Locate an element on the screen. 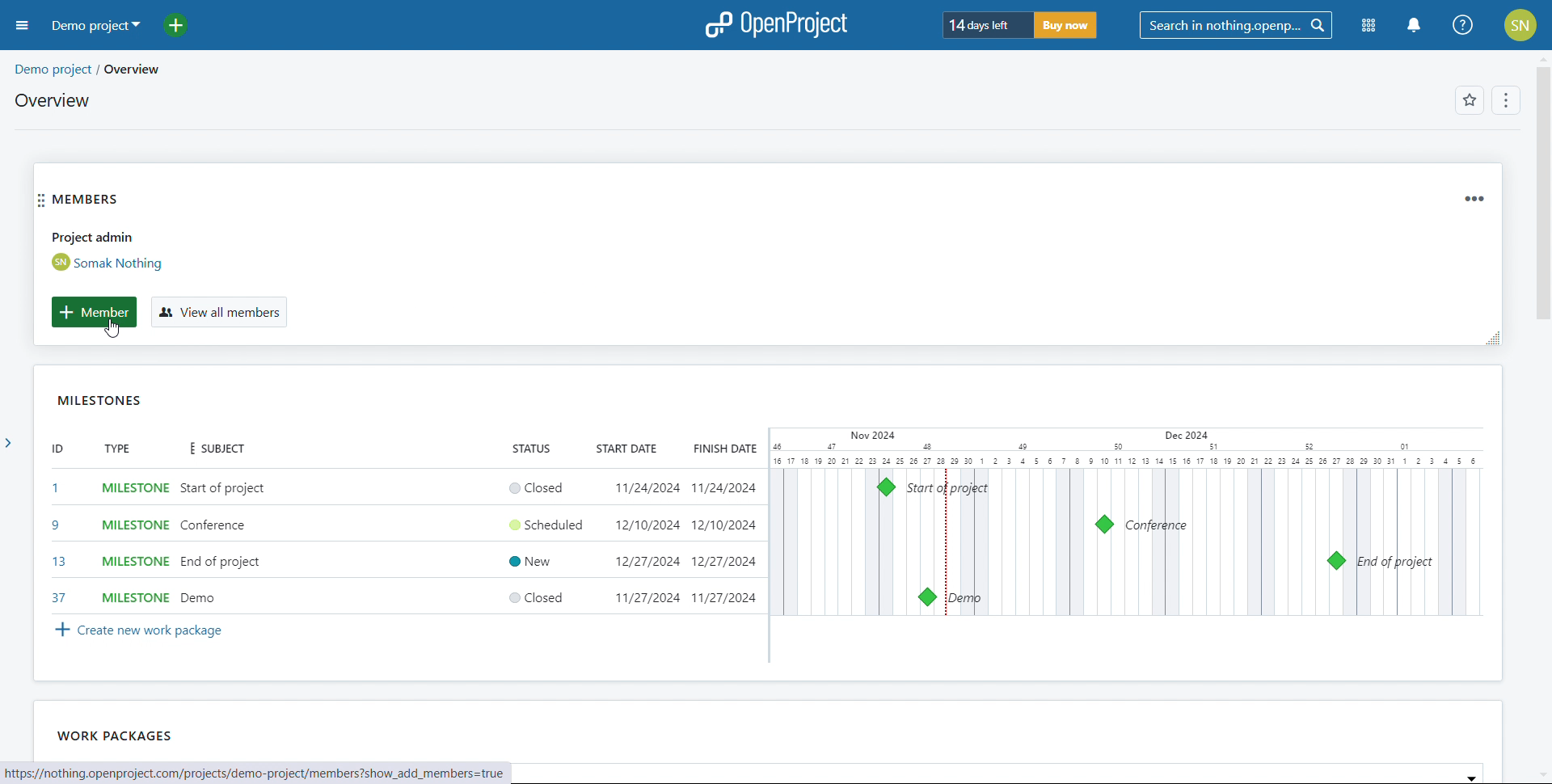  set type is located at coordinates (133, 487).